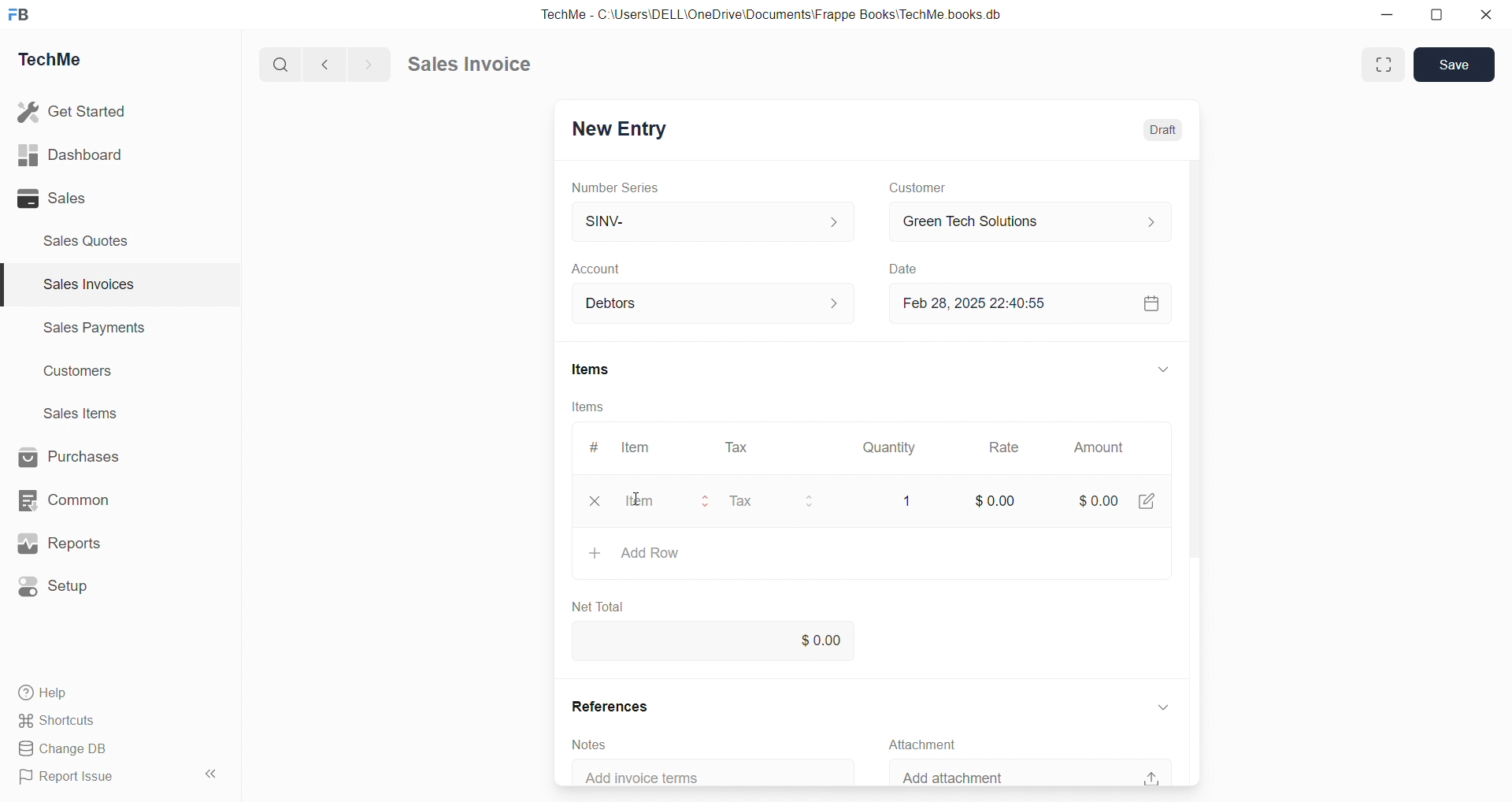 Image resolution: width=1512 pixels, height=802 pixels. I want to click on TechMe, so click(50, 60).